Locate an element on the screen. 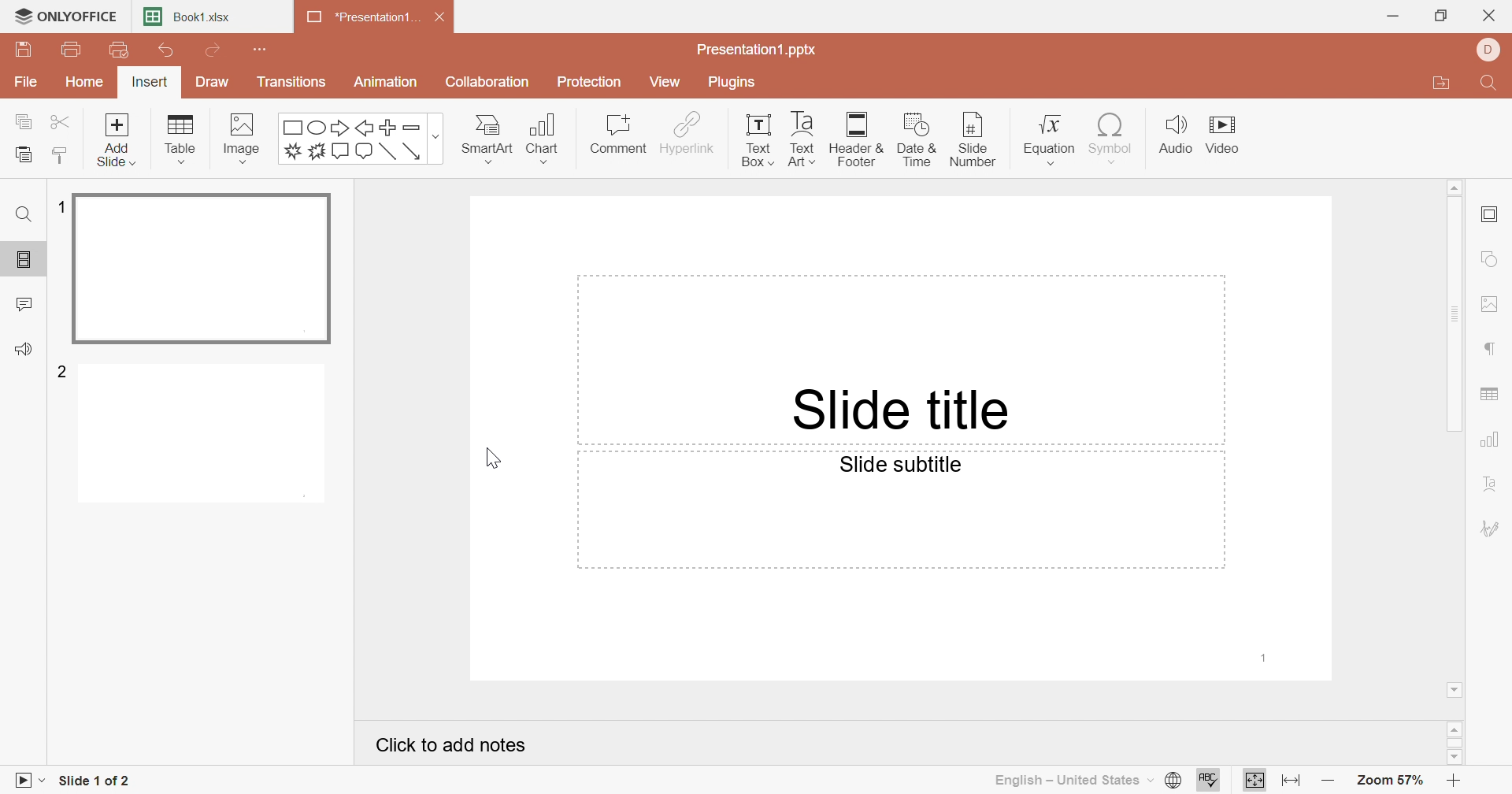  Signature settings is located at coordinates (1491, 528).